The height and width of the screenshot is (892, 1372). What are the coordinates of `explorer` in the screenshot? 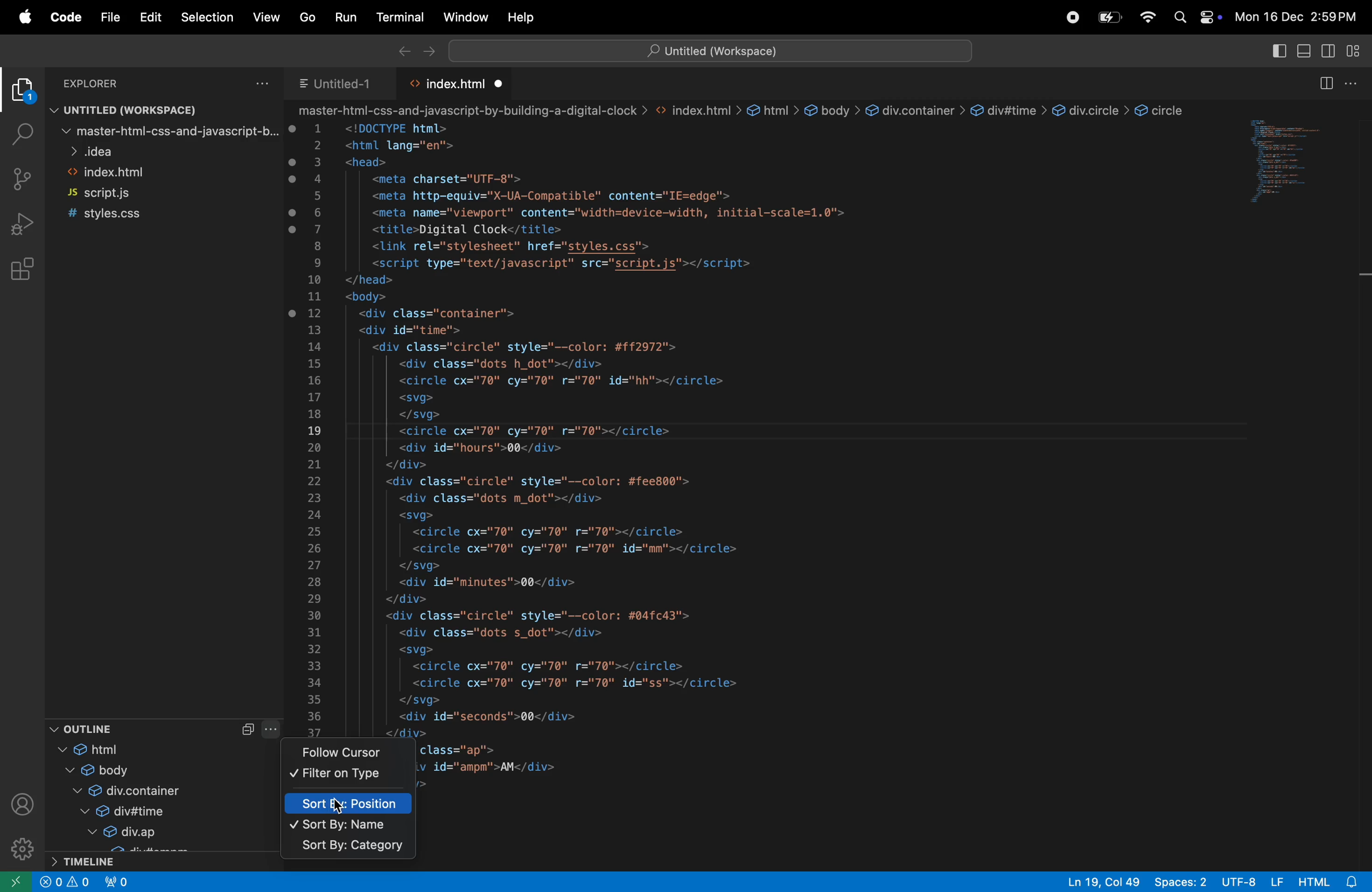 It's located at (22, 92).